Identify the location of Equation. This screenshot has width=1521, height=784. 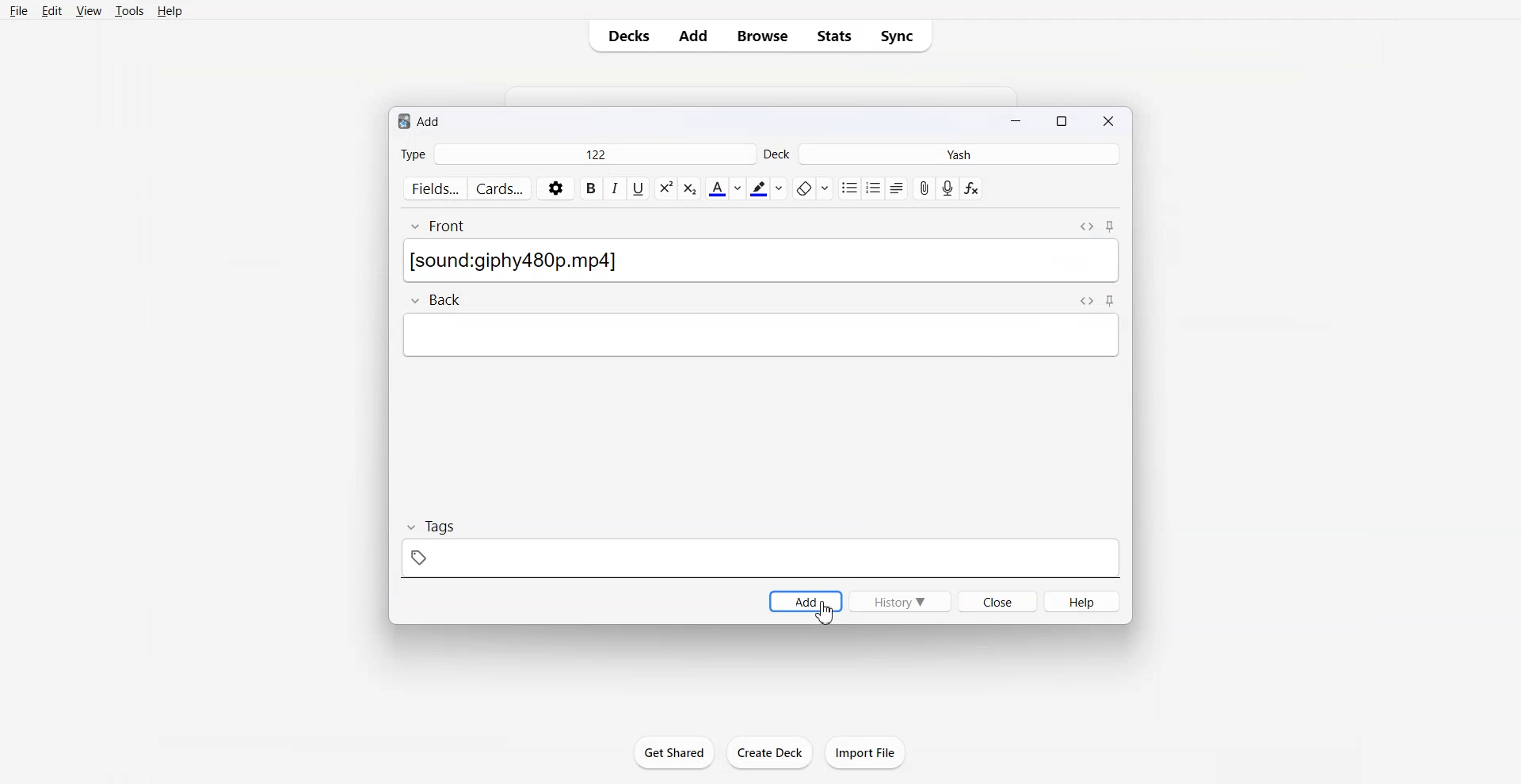
(974, 188).